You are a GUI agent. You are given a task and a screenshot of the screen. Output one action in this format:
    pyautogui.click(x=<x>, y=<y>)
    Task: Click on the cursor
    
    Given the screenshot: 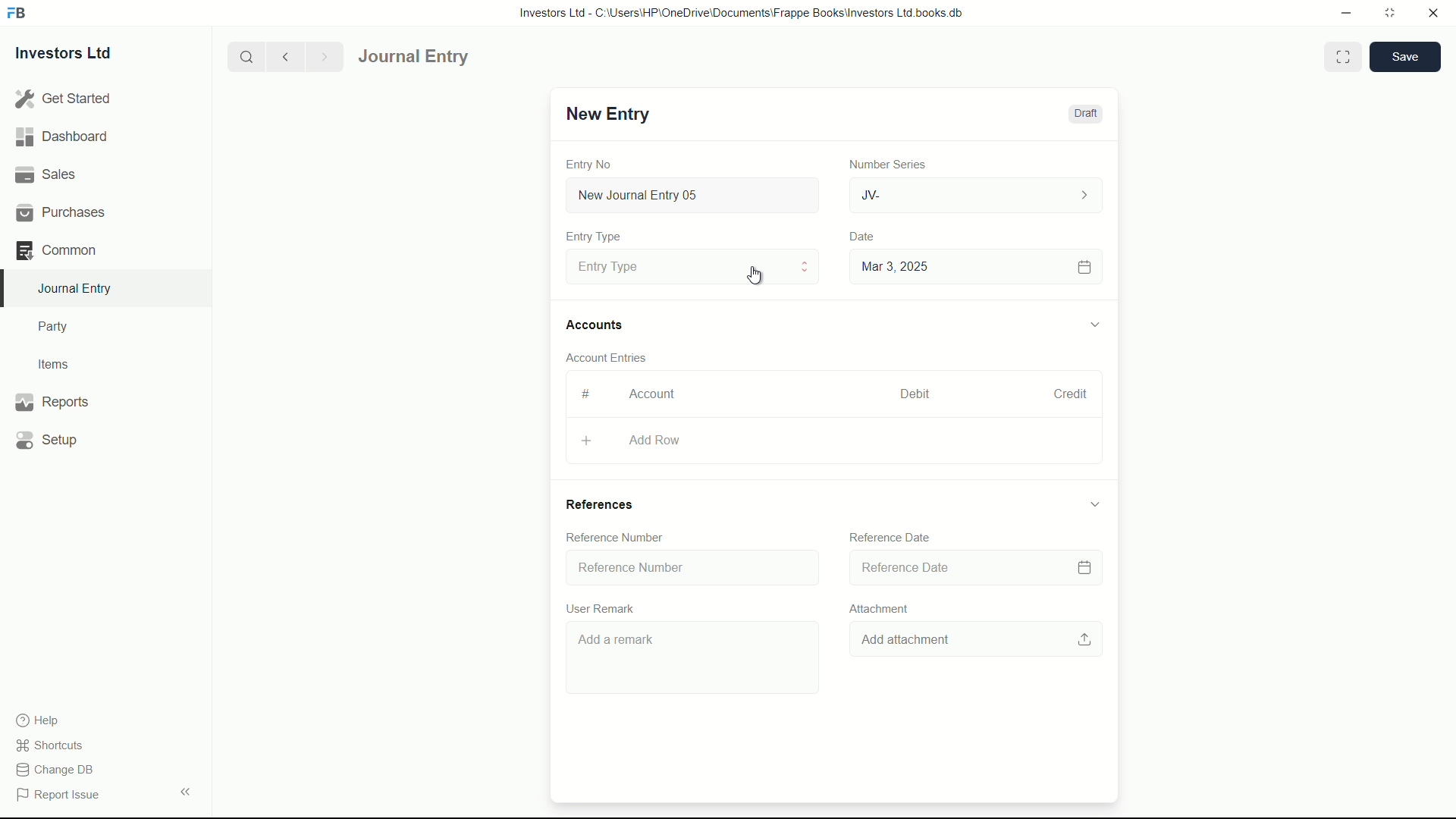 What is the action you would take?
    pyautogui.click(x=755, y=279)
    